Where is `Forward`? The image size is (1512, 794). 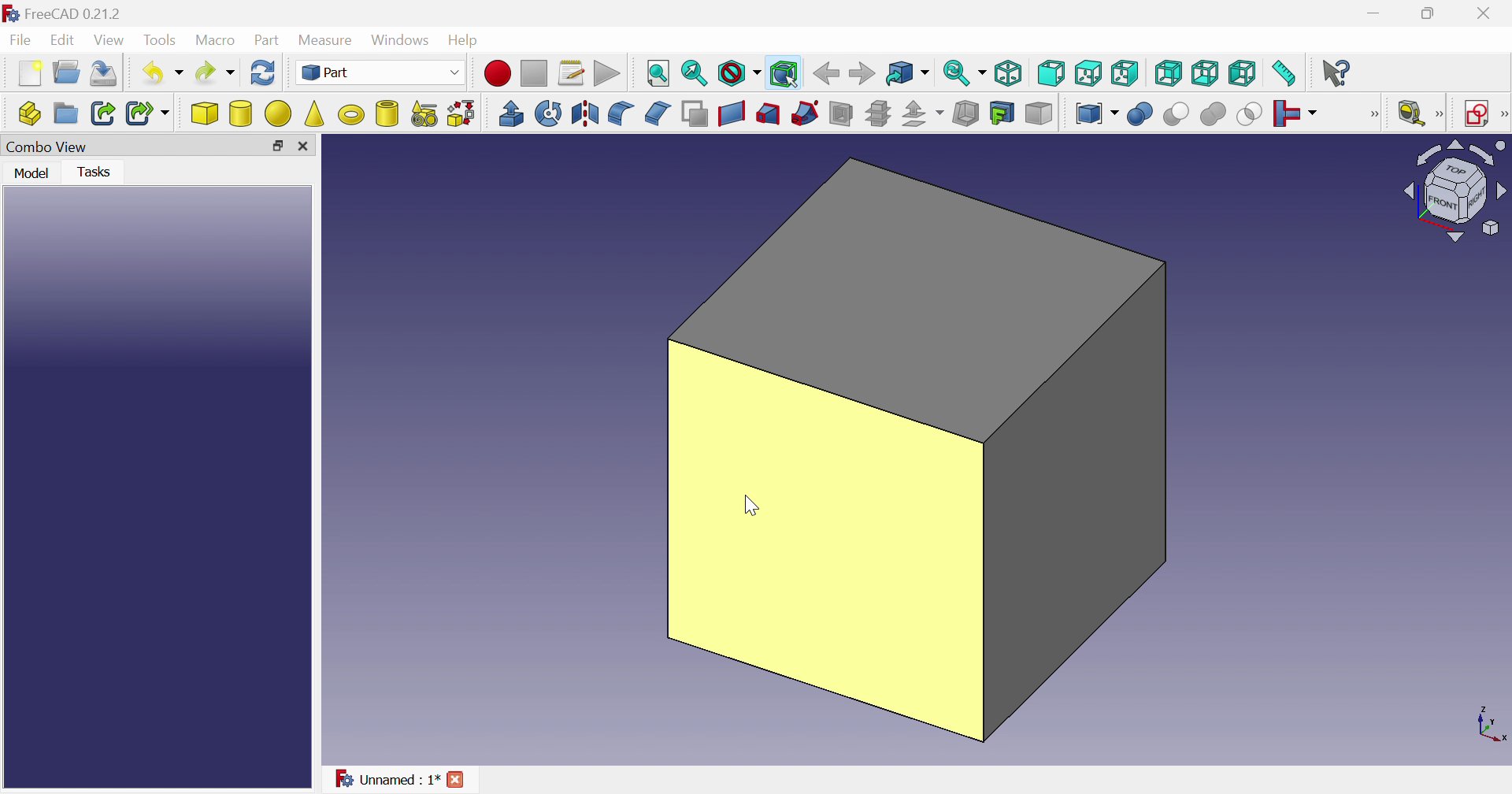
Forward is located at coordinates (864, 72).